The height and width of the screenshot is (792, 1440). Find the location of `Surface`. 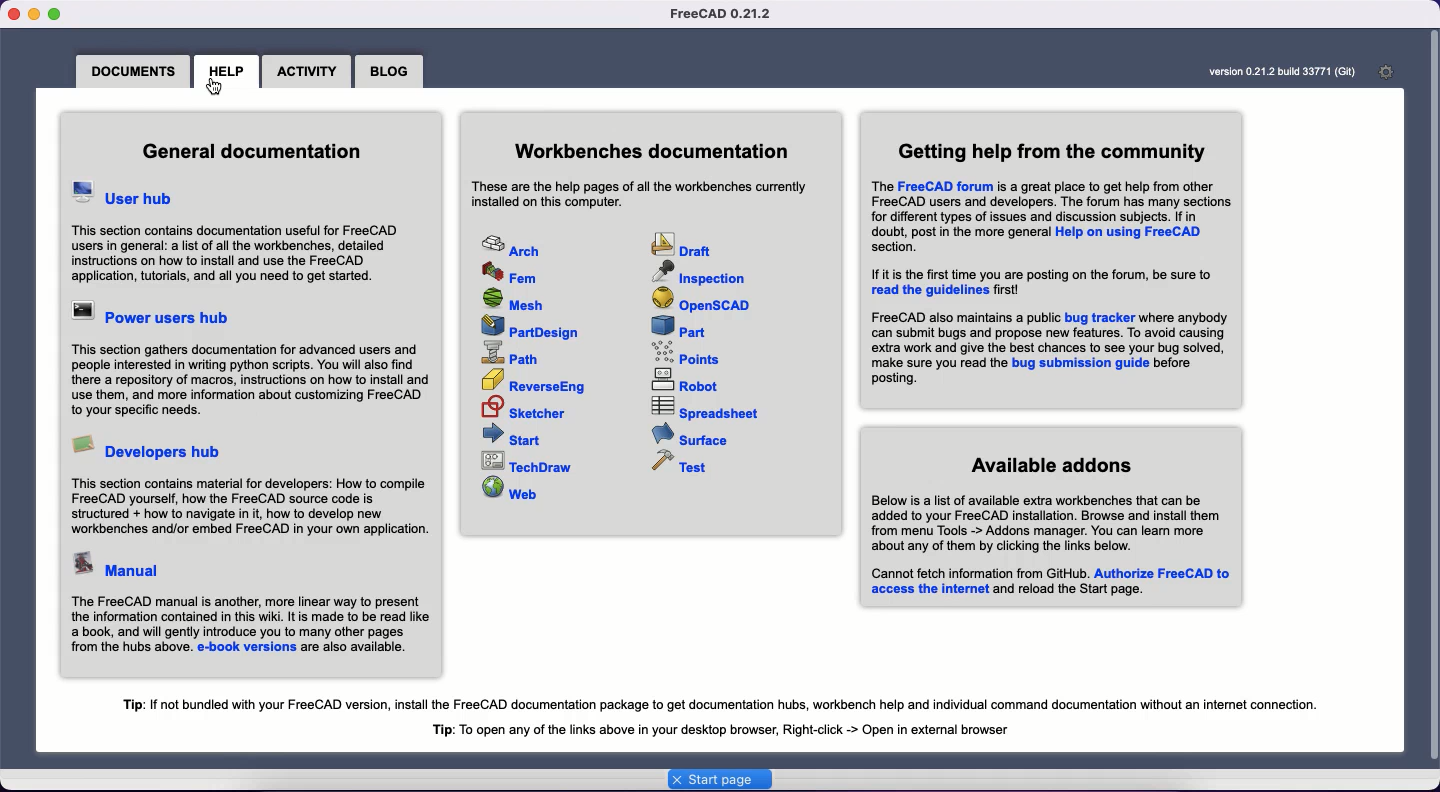

Surface is located at coordinates (691, 432).